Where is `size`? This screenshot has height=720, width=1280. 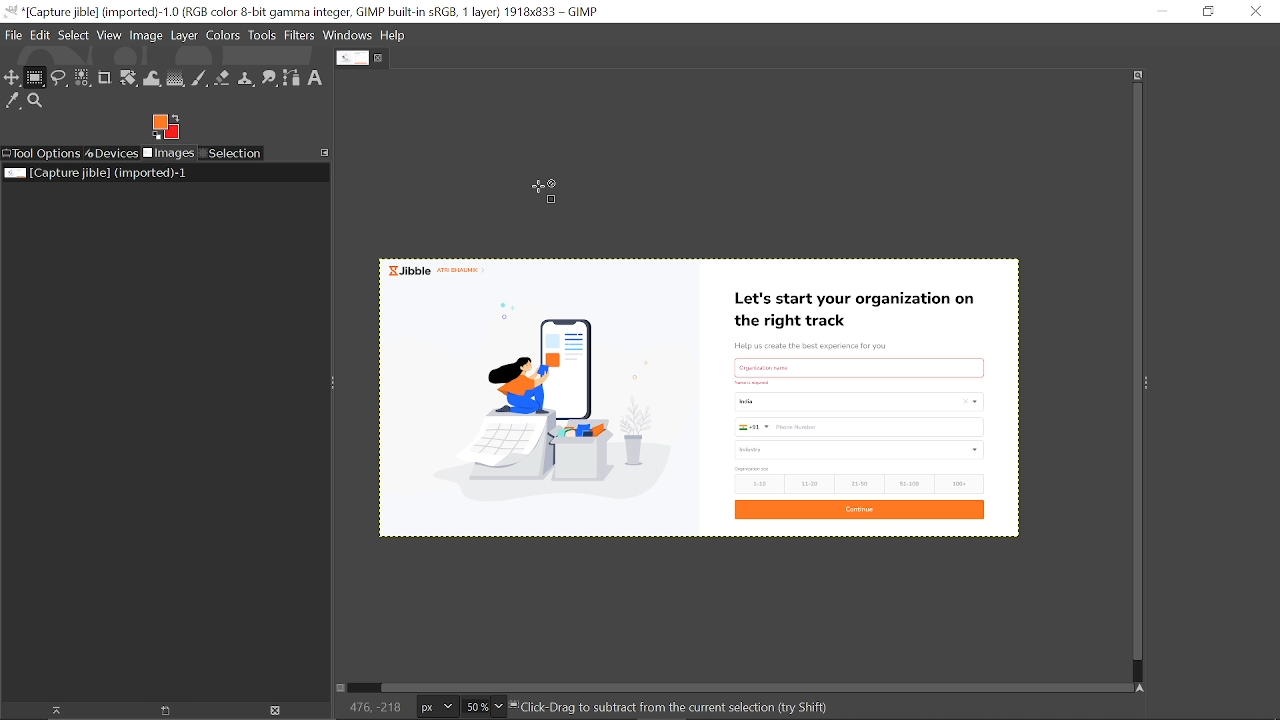 size is located at coordinates (752, 469).